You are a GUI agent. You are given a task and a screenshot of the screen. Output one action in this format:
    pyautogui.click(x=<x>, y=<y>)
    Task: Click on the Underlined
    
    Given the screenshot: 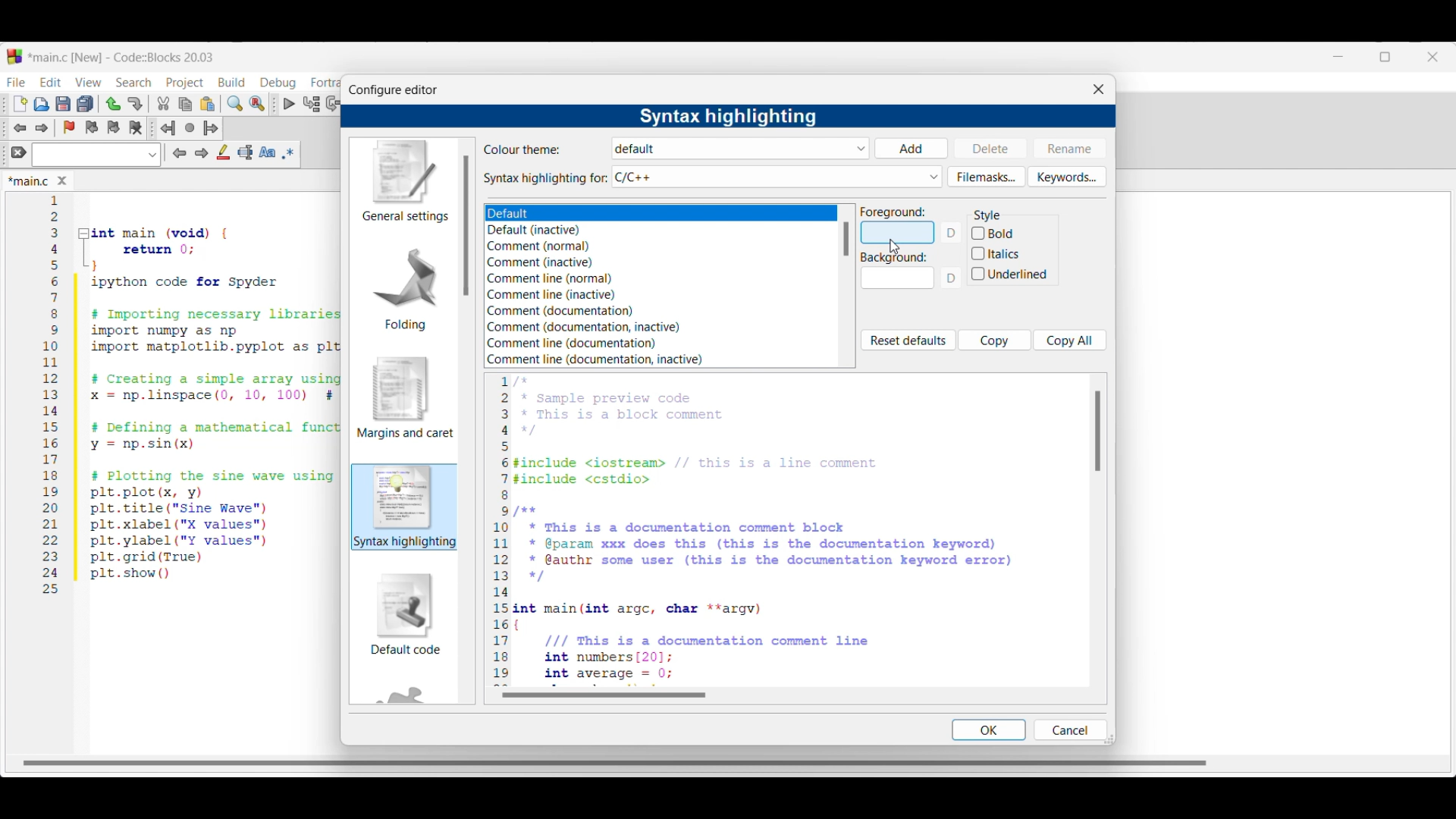 What is the action you would take?
    pyautogui.click(x=1012, y=275)
    